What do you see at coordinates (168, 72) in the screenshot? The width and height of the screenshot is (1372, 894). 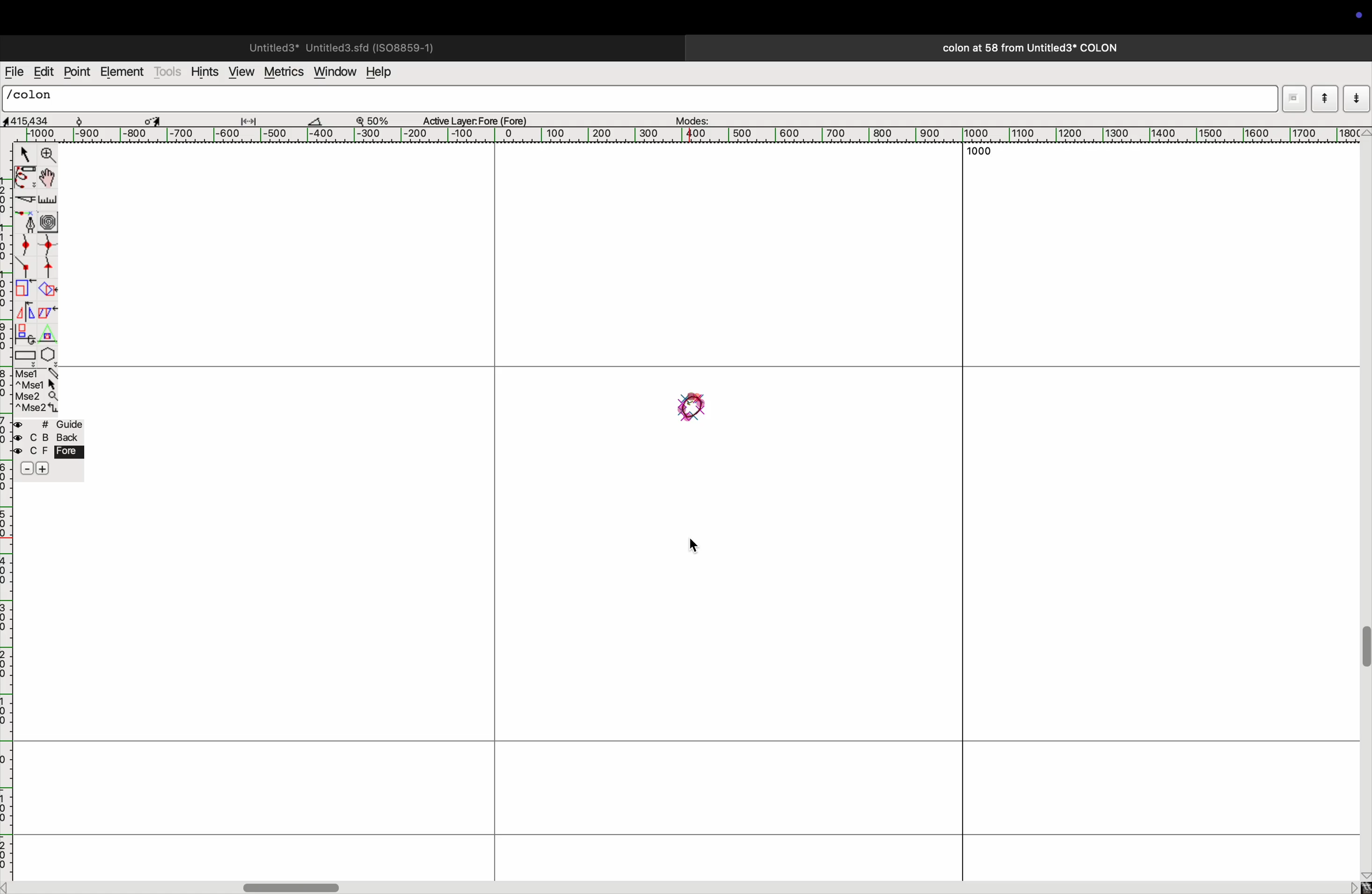 I see `tools` at bounding box center [168, 72].